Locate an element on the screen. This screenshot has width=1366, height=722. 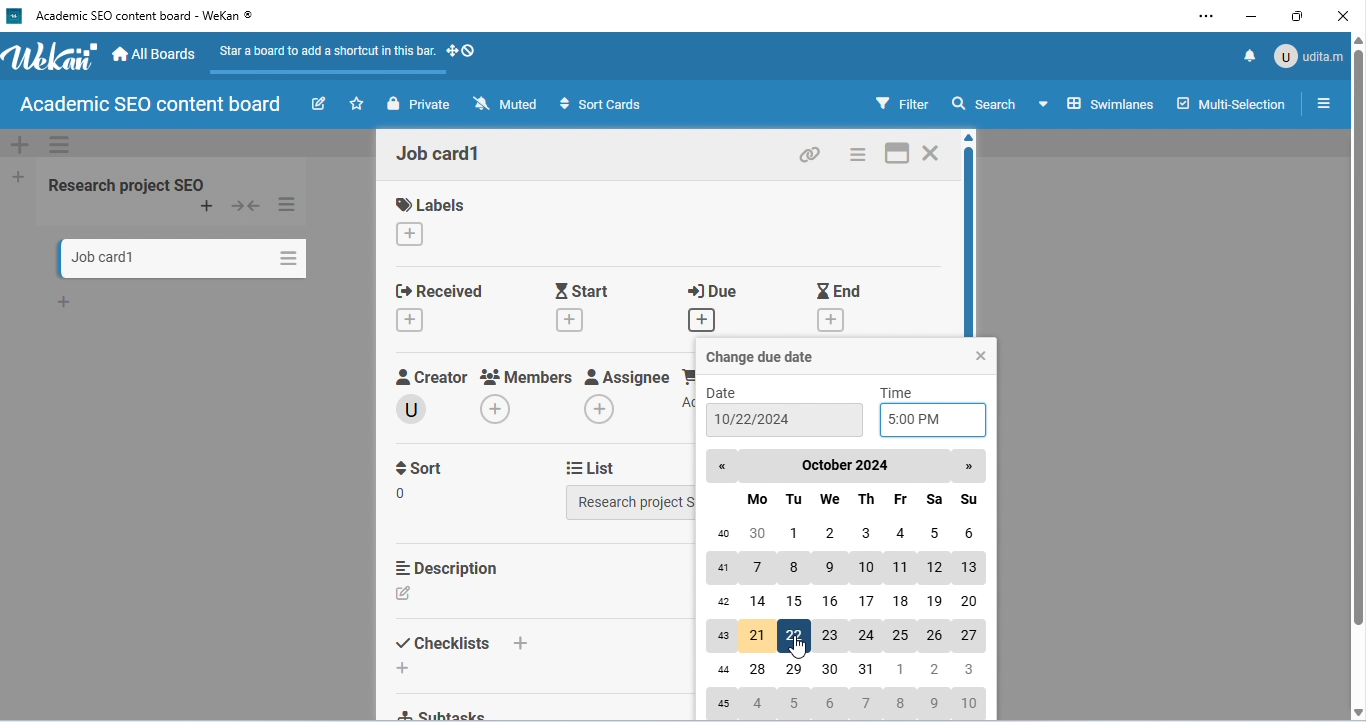
card actions is located at coordinates (286, 255).